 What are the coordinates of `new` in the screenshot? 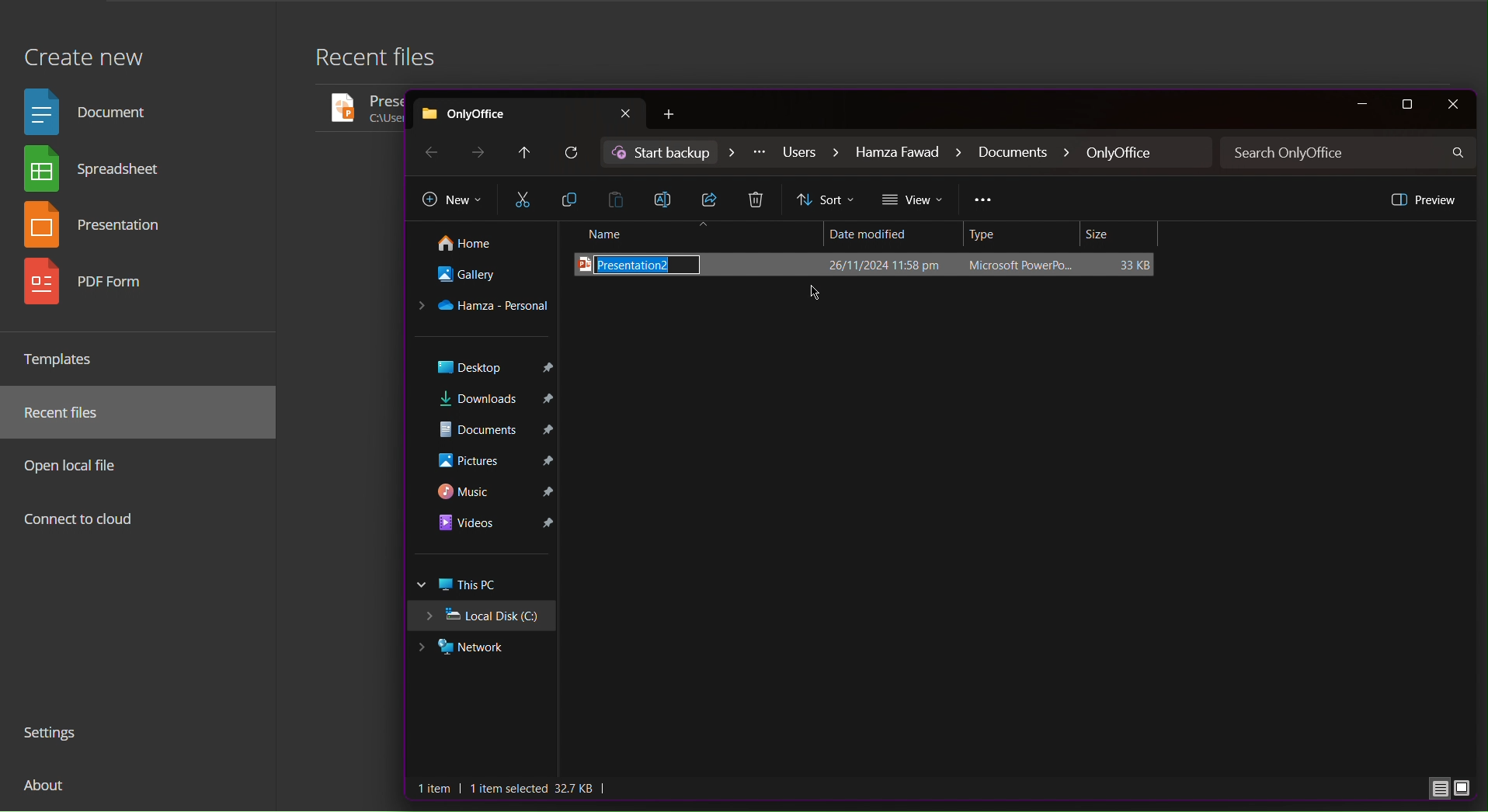 It's located at (676, 115).